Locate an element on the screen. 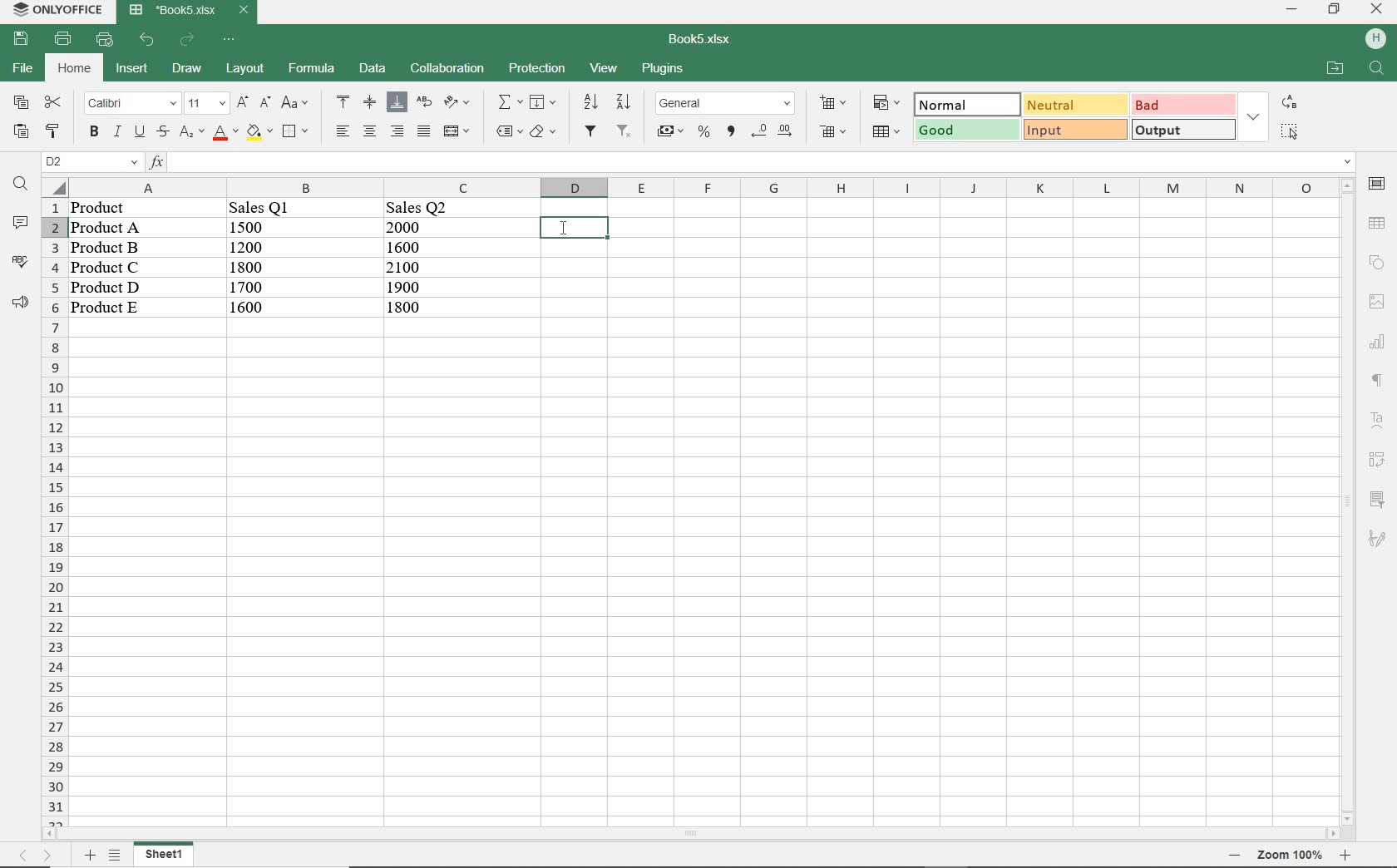  input is located at coordinates (1075, 130).